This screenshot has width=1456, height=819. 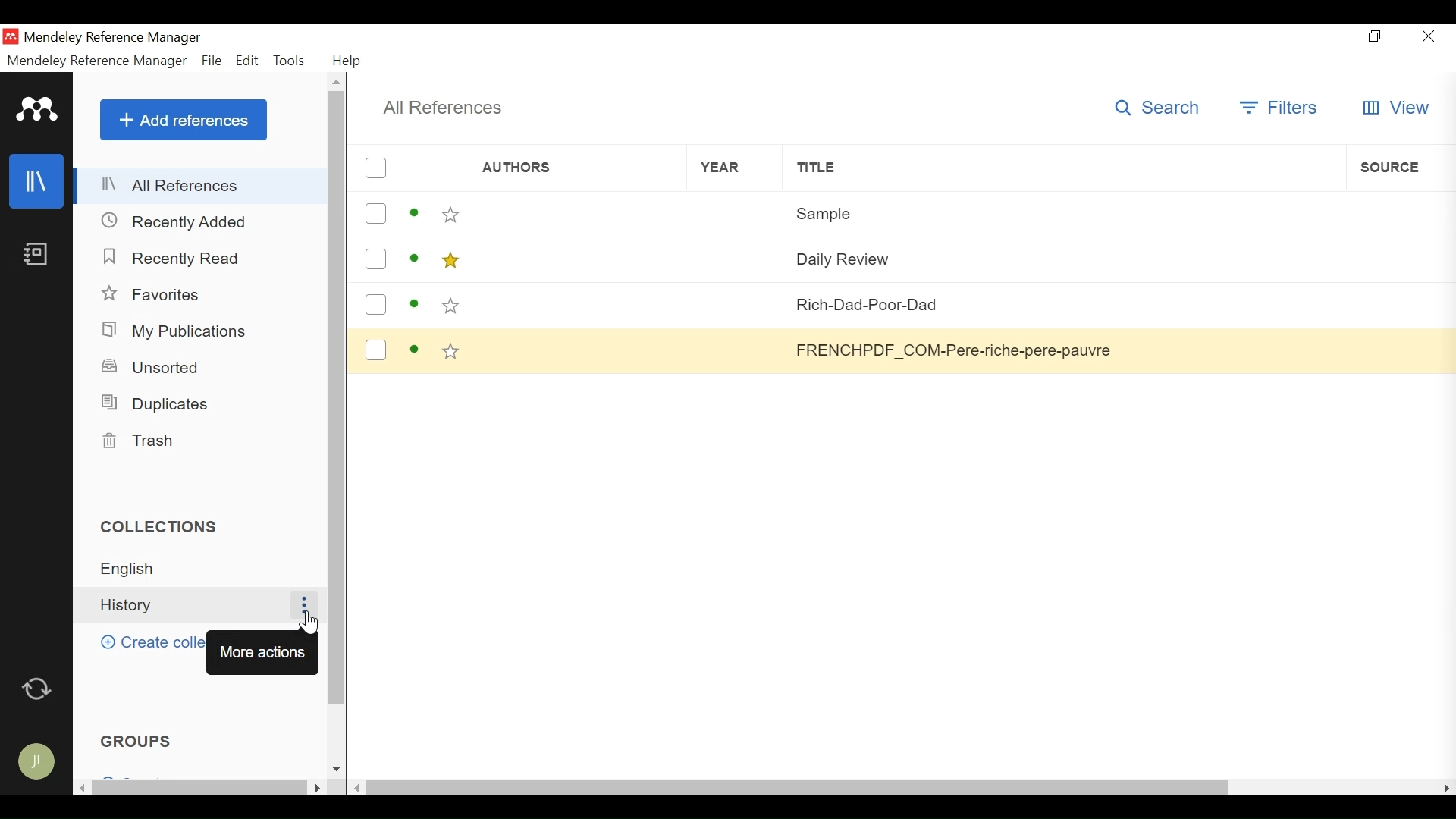 I want to click on (un)select, so click(x=375, y=214).